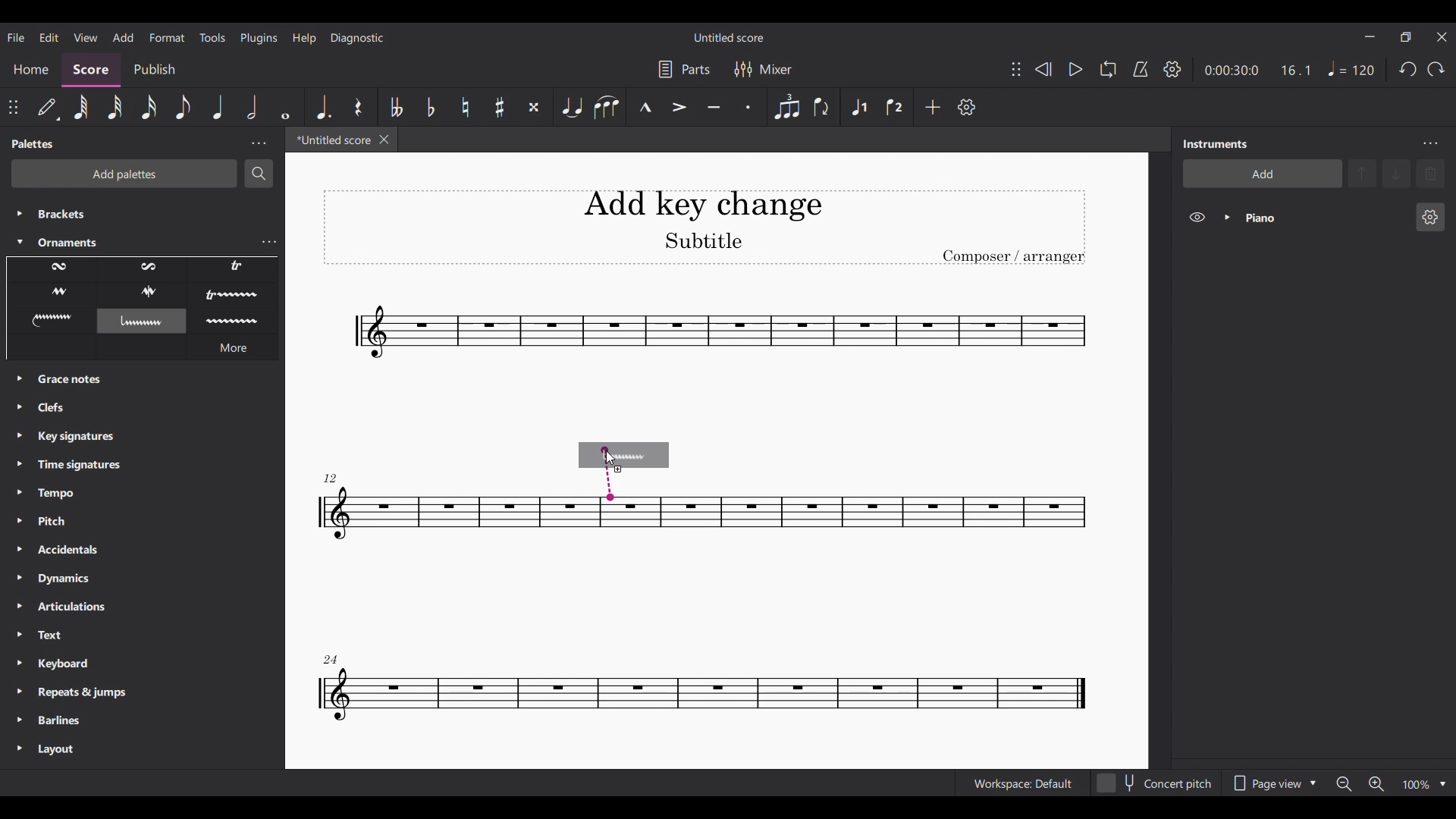  Describe the element at coordinates (13, 108) in the screenshot. I see `Change position of toolbar` at that location.